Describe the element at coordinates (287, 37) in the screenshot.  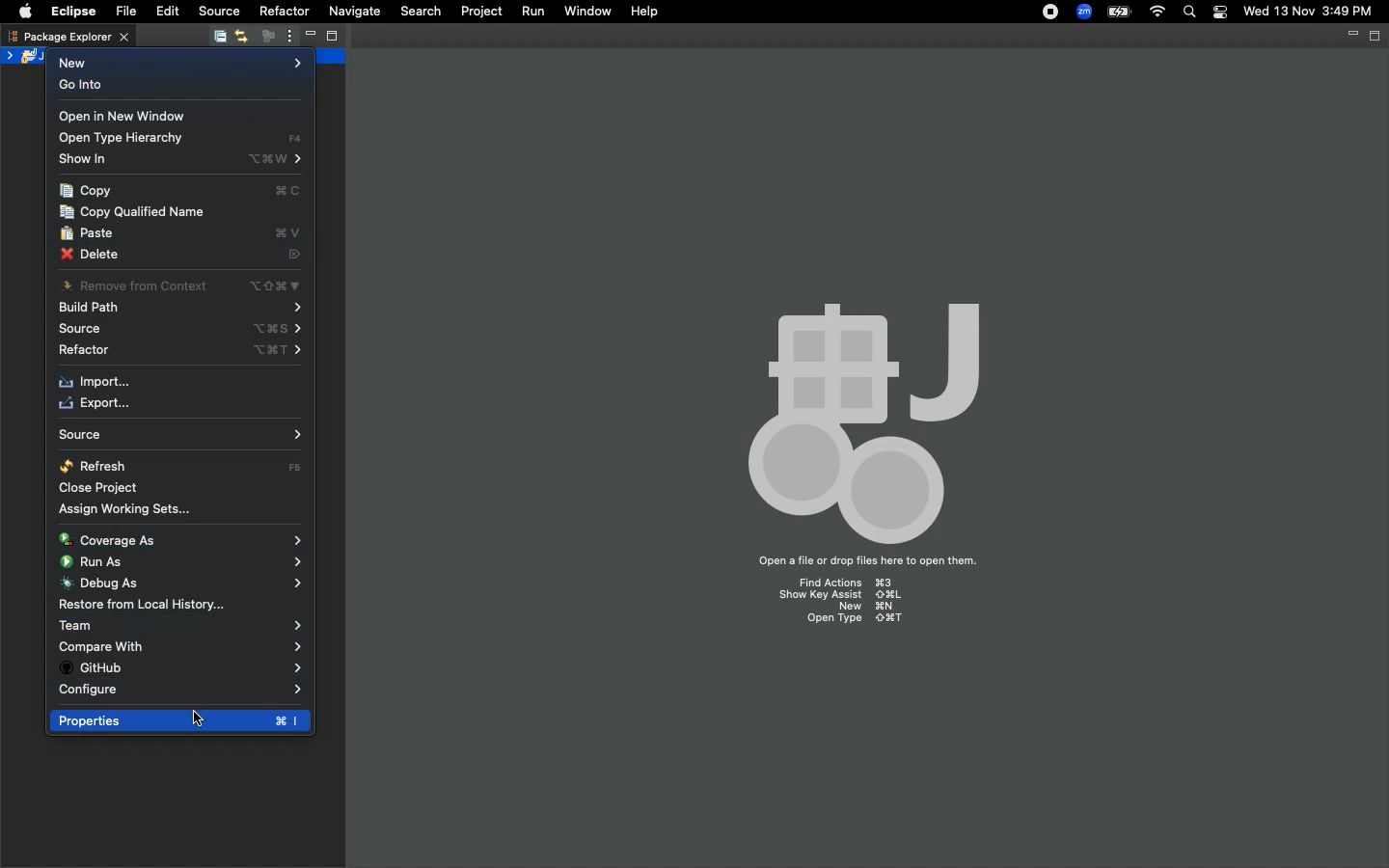
I see `View menu` at that location.